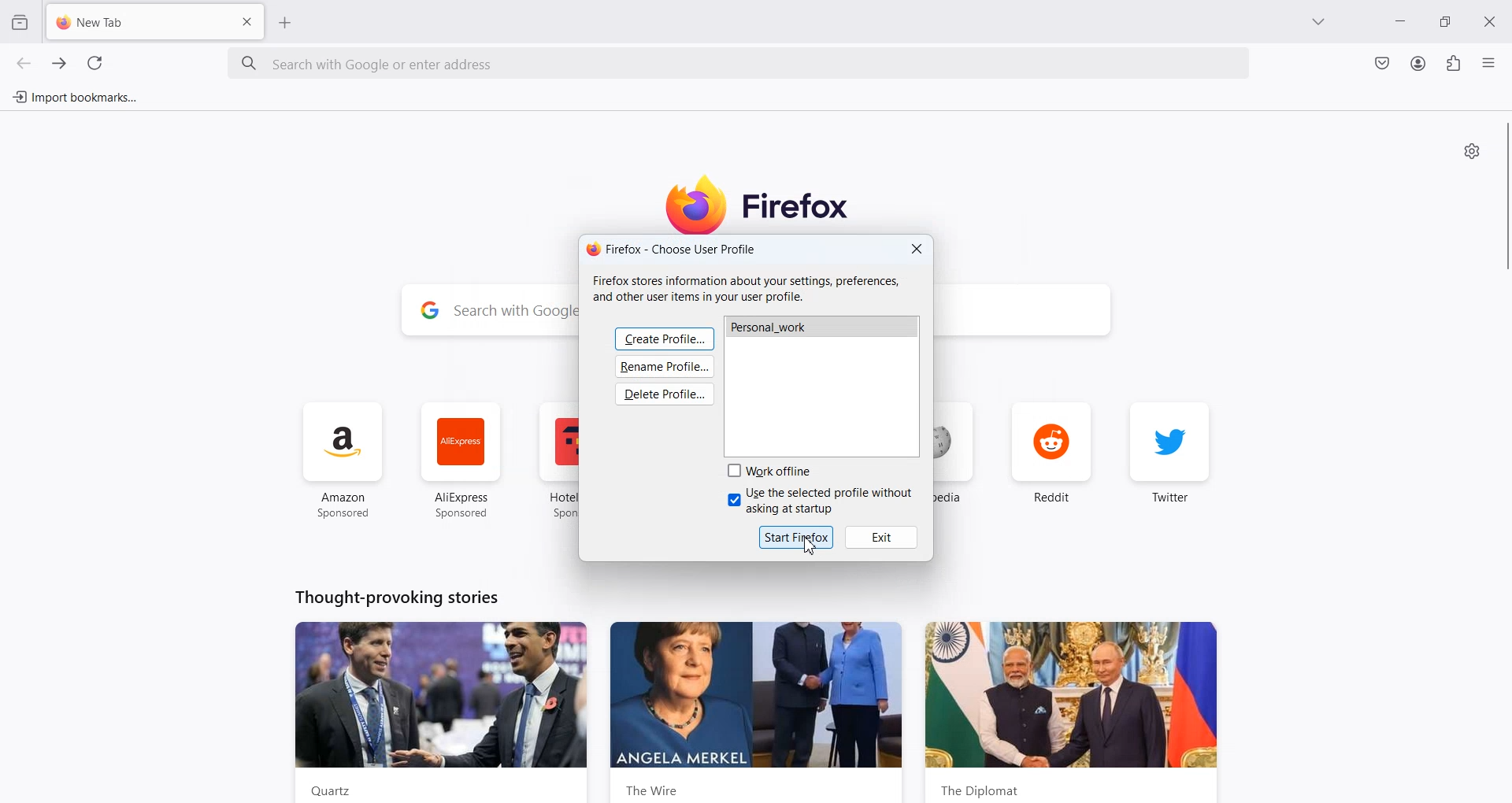  What do you see at coordinates (20, 21) in the screenshot?
I see `View Recent browsing` at bounding box center [20, 21].